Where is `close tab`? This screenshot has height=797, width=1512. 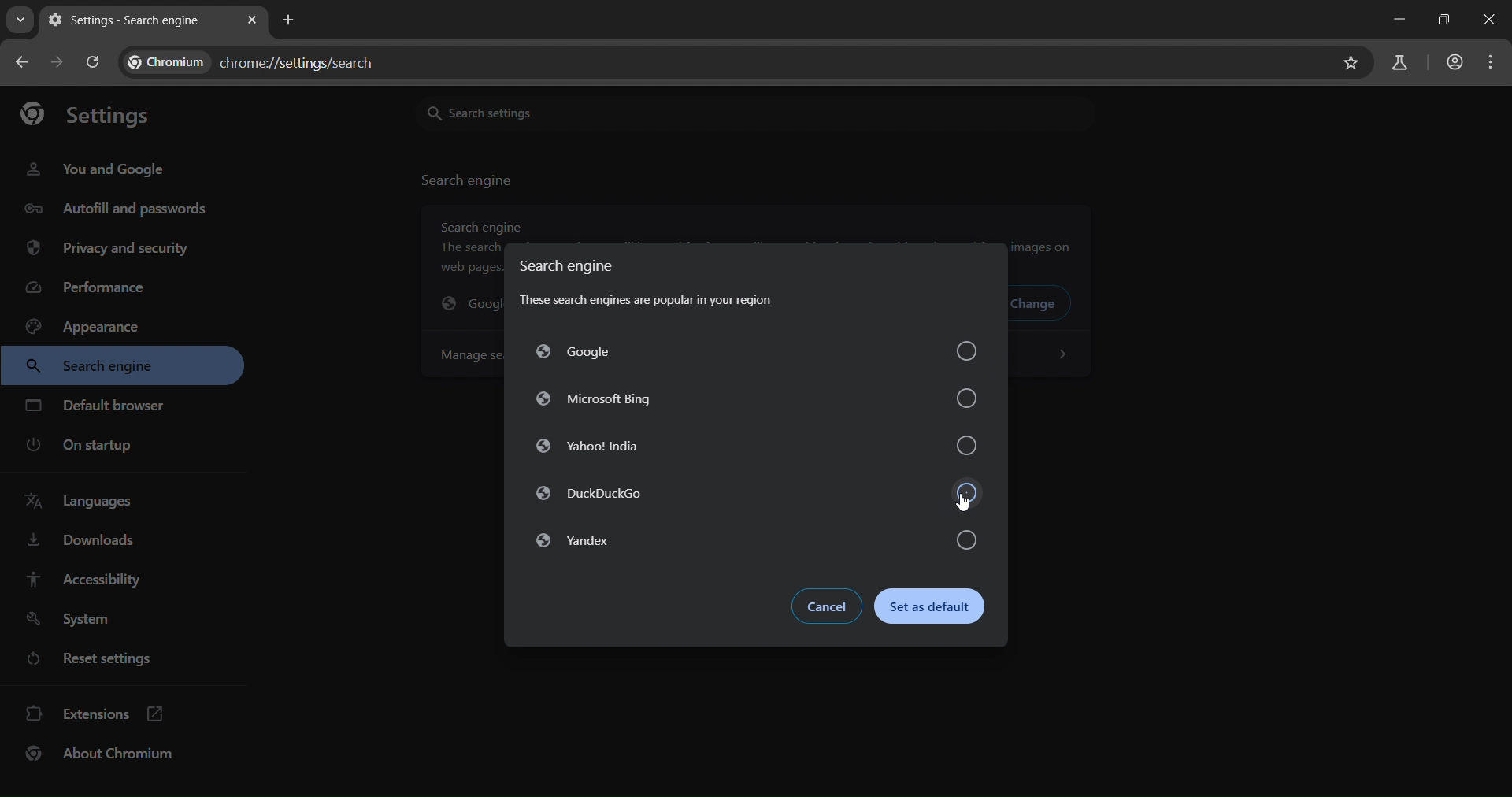
close tab is located at coordinates (254, 17).